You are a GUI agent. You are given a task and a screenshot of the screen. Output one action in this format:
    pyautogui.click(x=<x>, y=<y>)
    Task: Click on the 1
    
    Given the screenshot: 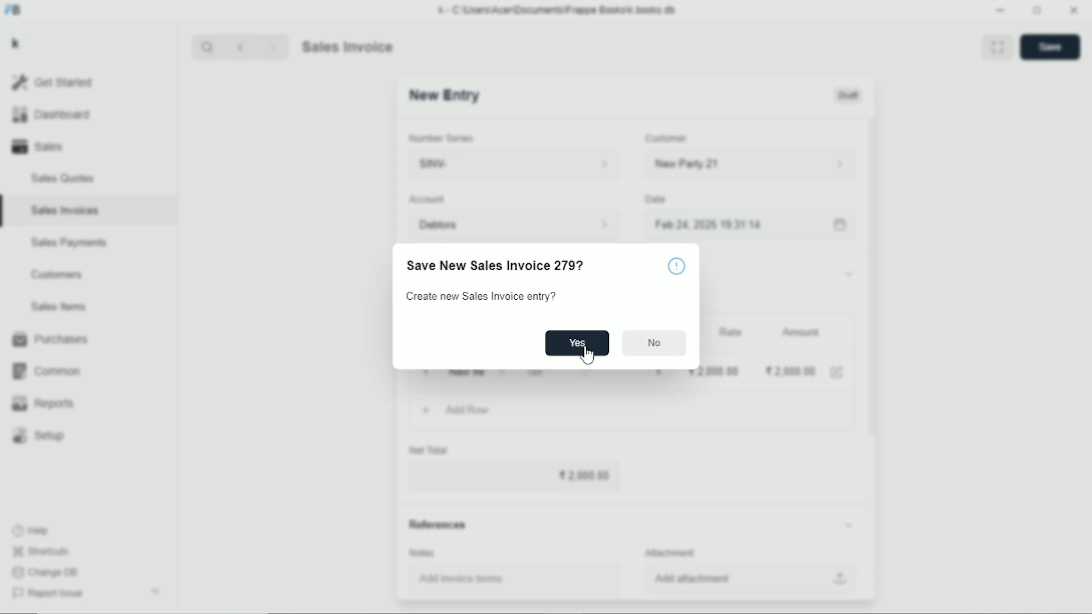 What is the action you would take?
    pyautogui.click(x=661, y=375)
    